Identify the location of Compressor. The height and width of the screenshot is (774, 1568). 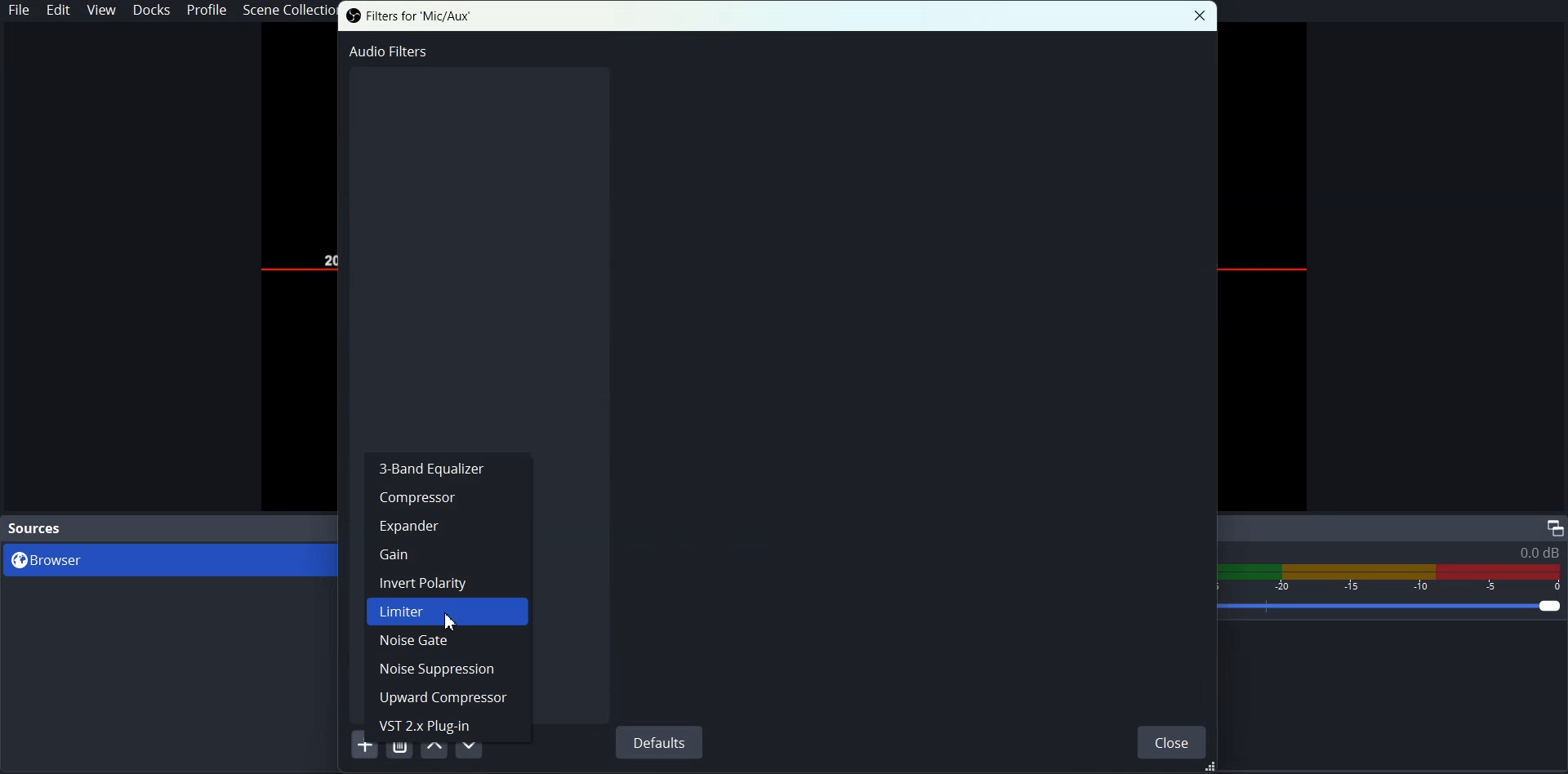
(448, 500).